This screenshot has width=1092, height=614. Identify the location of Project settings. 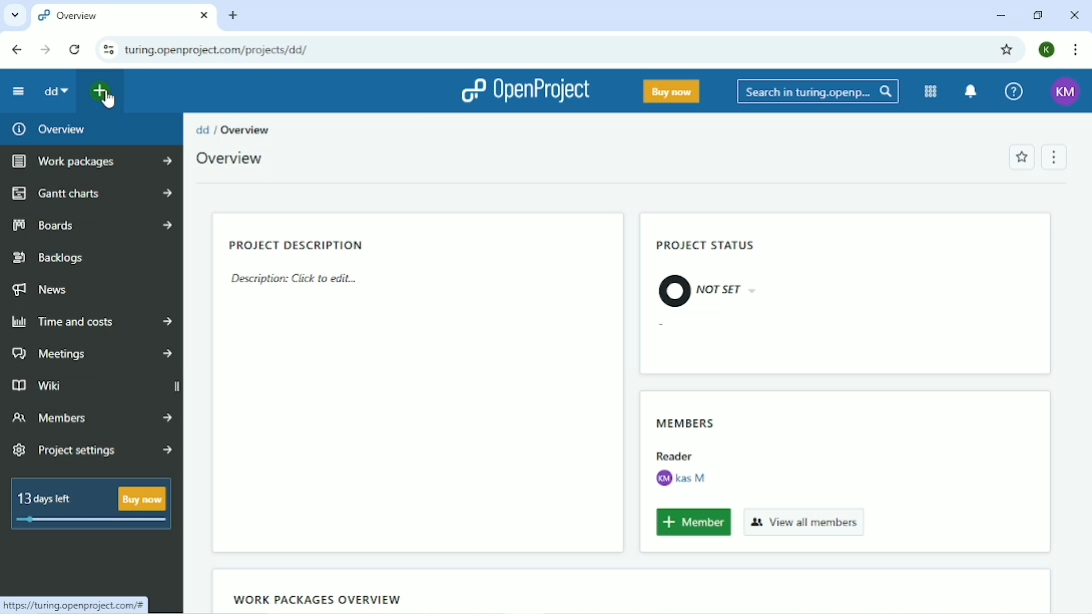
(94, 451).